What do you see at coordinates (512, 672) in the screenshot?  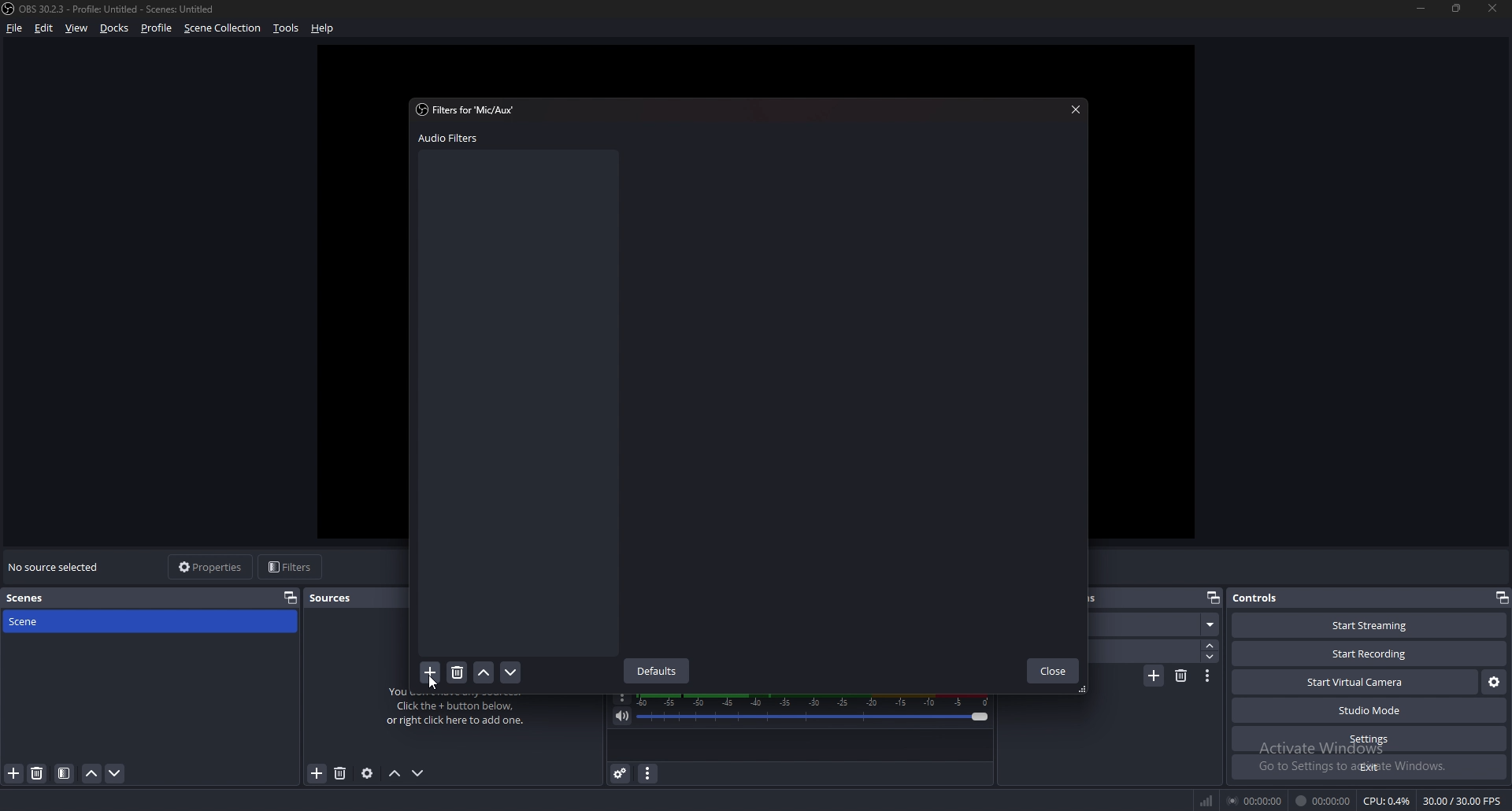 I see `move filter down` at bounding box center [512, 672].